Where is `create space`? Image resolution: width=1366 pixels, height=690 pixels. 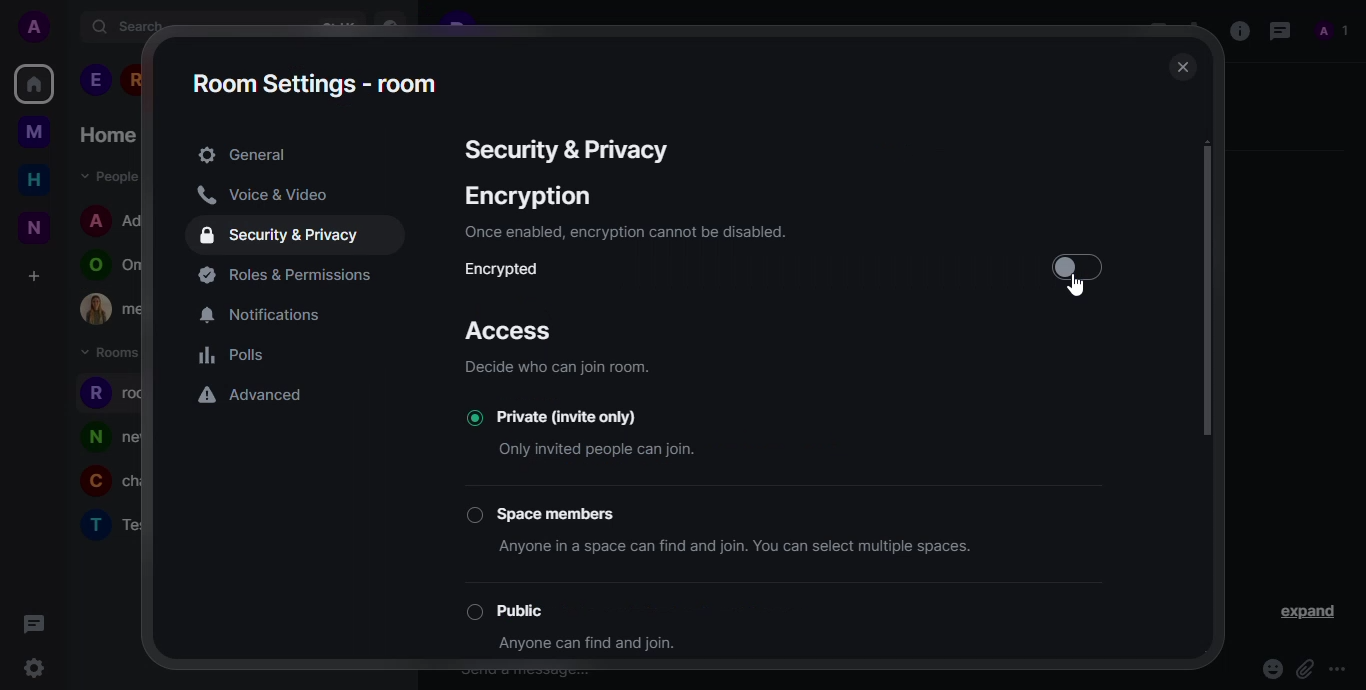 create space is located at coordinates (32, 276).